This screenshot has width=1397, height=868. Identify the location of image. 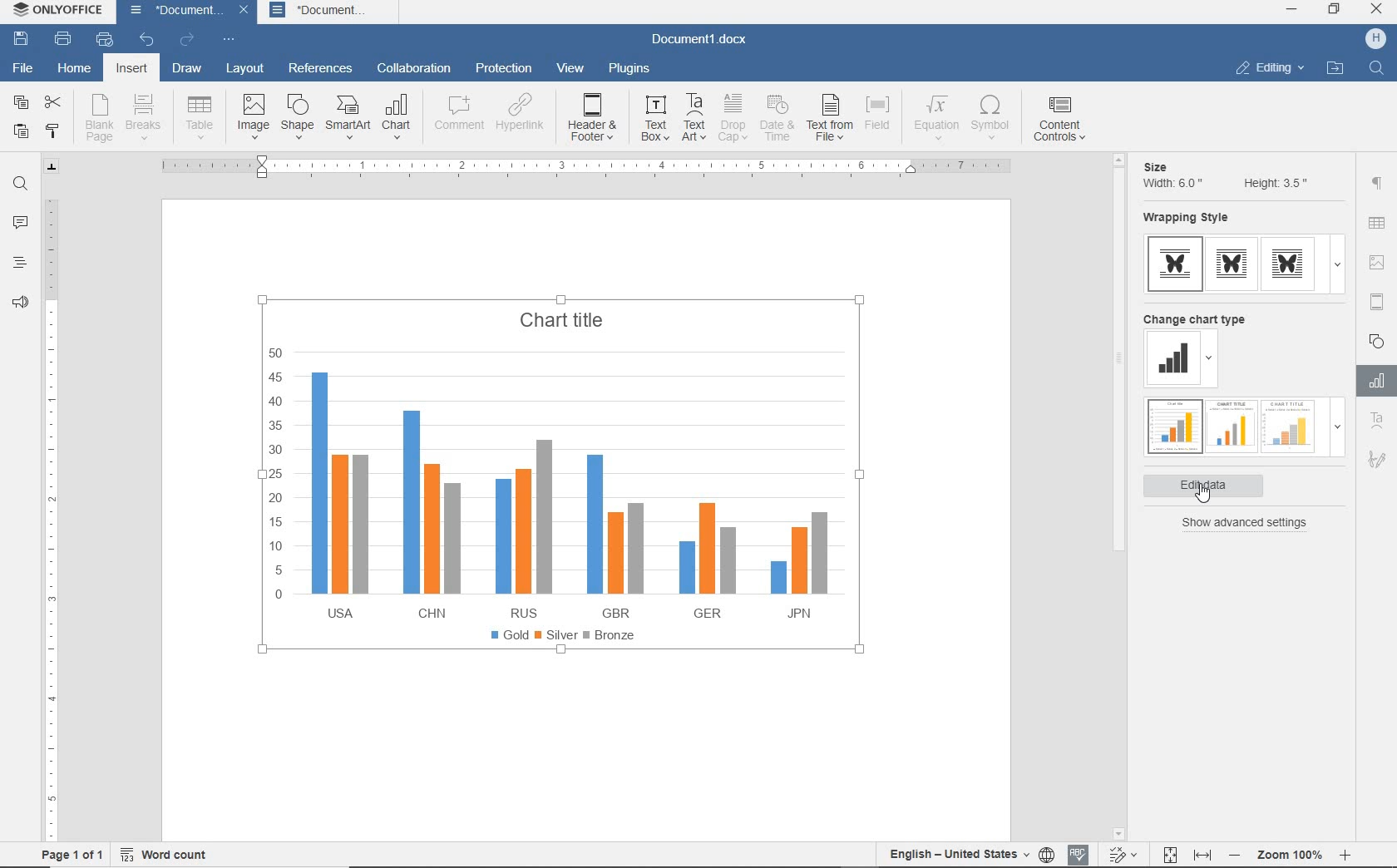
(1377, 262).